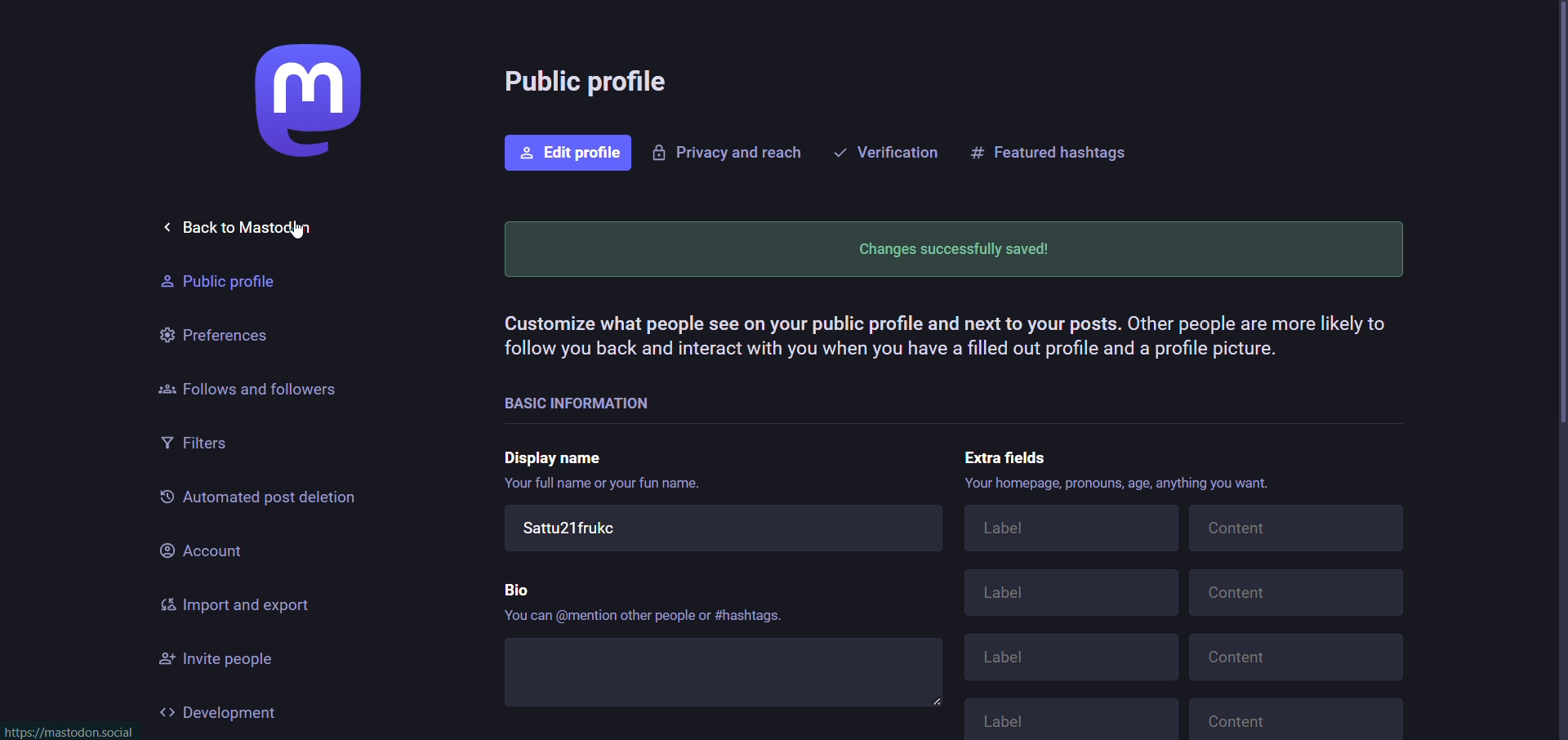 The width and height of the screenshot is (1568, 740). I want to click on automated past deletion, so click(256, 500).